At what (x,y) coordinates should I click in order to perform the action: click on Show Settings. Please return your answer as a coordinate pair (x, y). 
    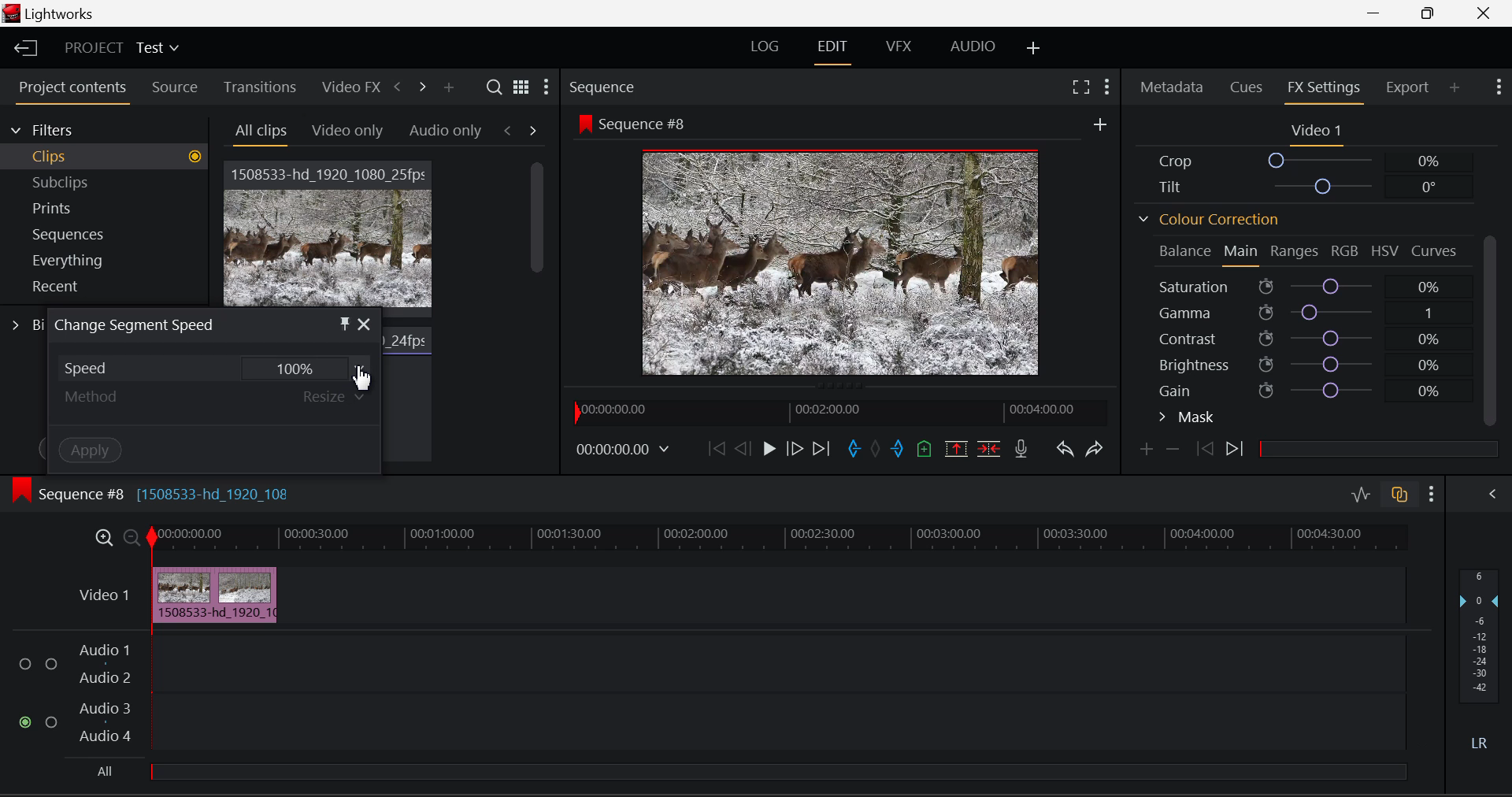
    Looking at the image, I should click on (1499, 90).